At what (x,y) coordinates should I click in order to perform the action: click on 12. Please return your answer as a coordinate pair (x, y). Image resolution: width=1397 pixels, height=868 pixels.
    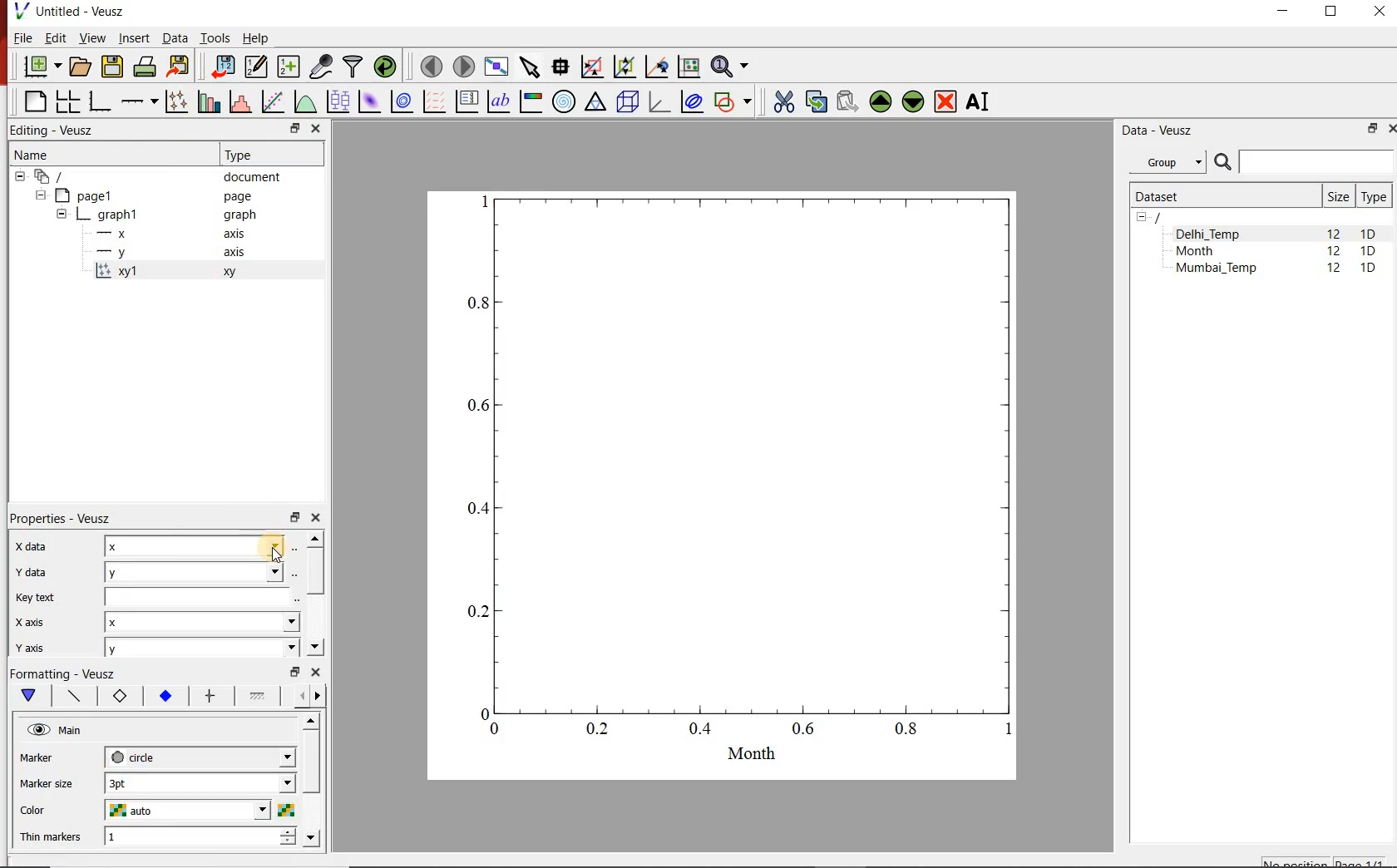
    Looking at the image, I should click on (1335, 270).